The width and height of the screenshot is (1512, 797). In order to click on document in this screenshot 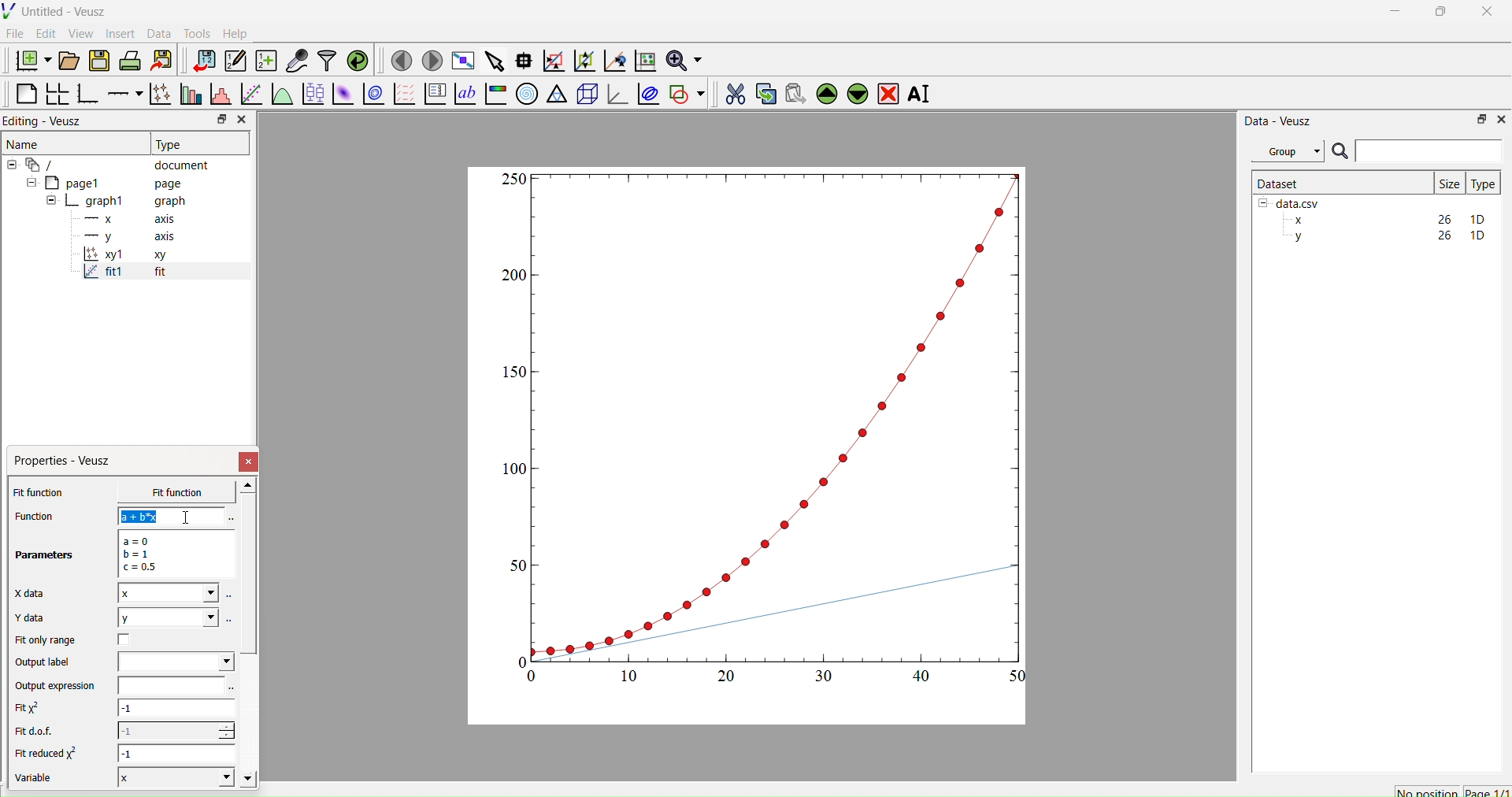, I will do `click(114, 164)`.